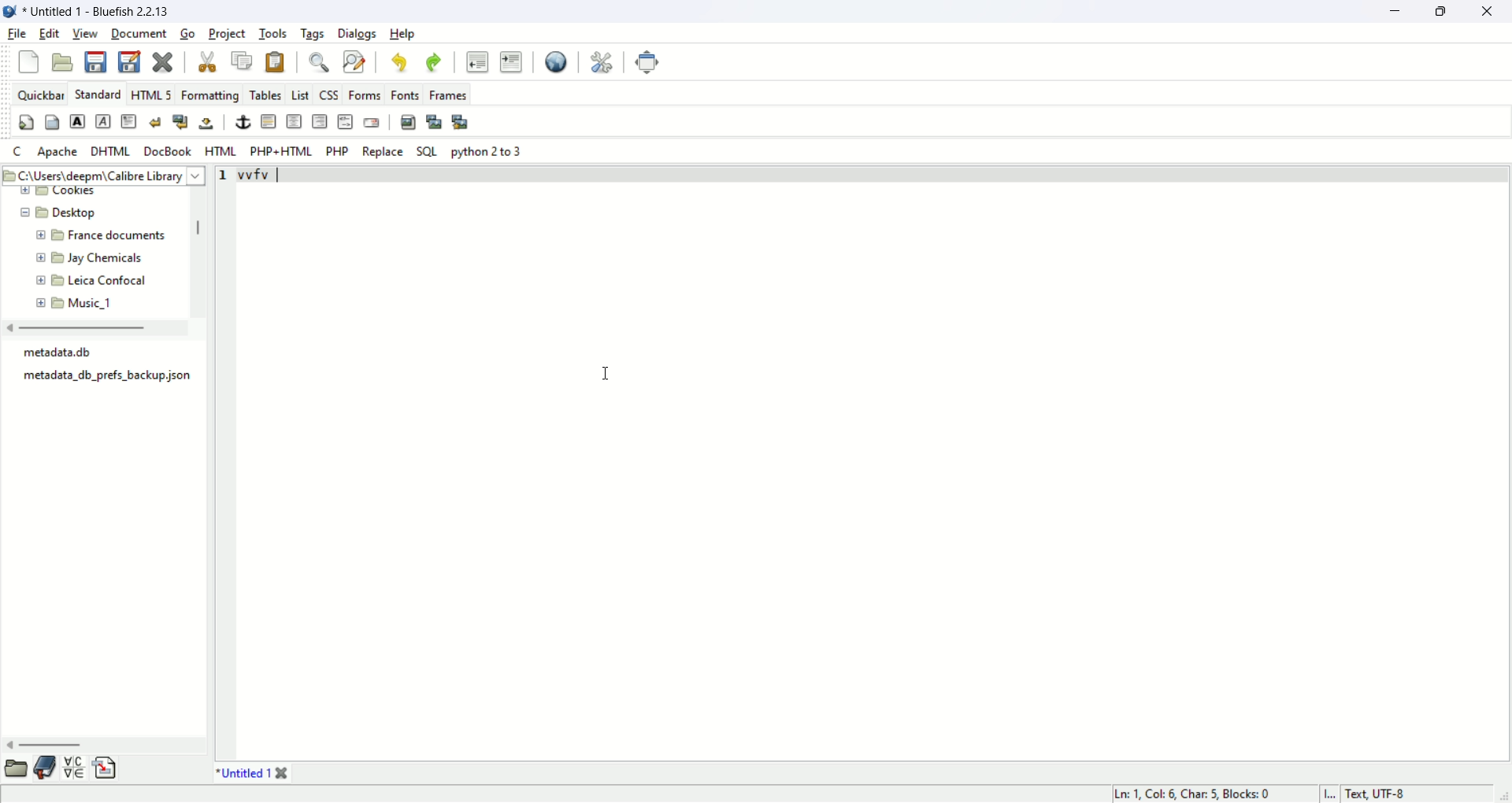 Image resolution: width=1512 pixels, height=803 pixels. I want to click on non breaking space, so click(206, 124).